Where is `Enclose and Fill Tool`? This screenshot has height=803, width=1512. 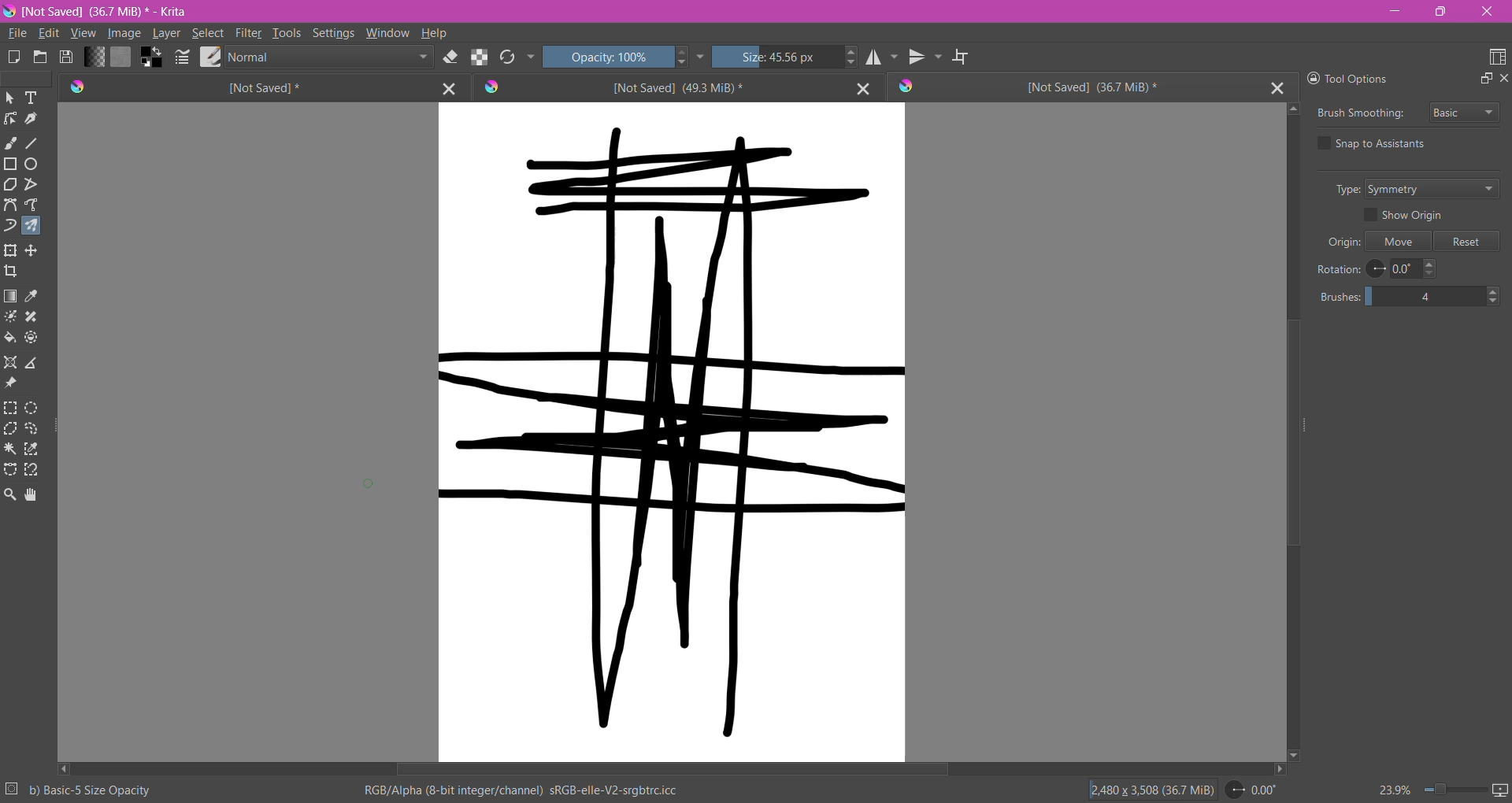 Enclose and Fill Tool is located at coordinates (33, 338).